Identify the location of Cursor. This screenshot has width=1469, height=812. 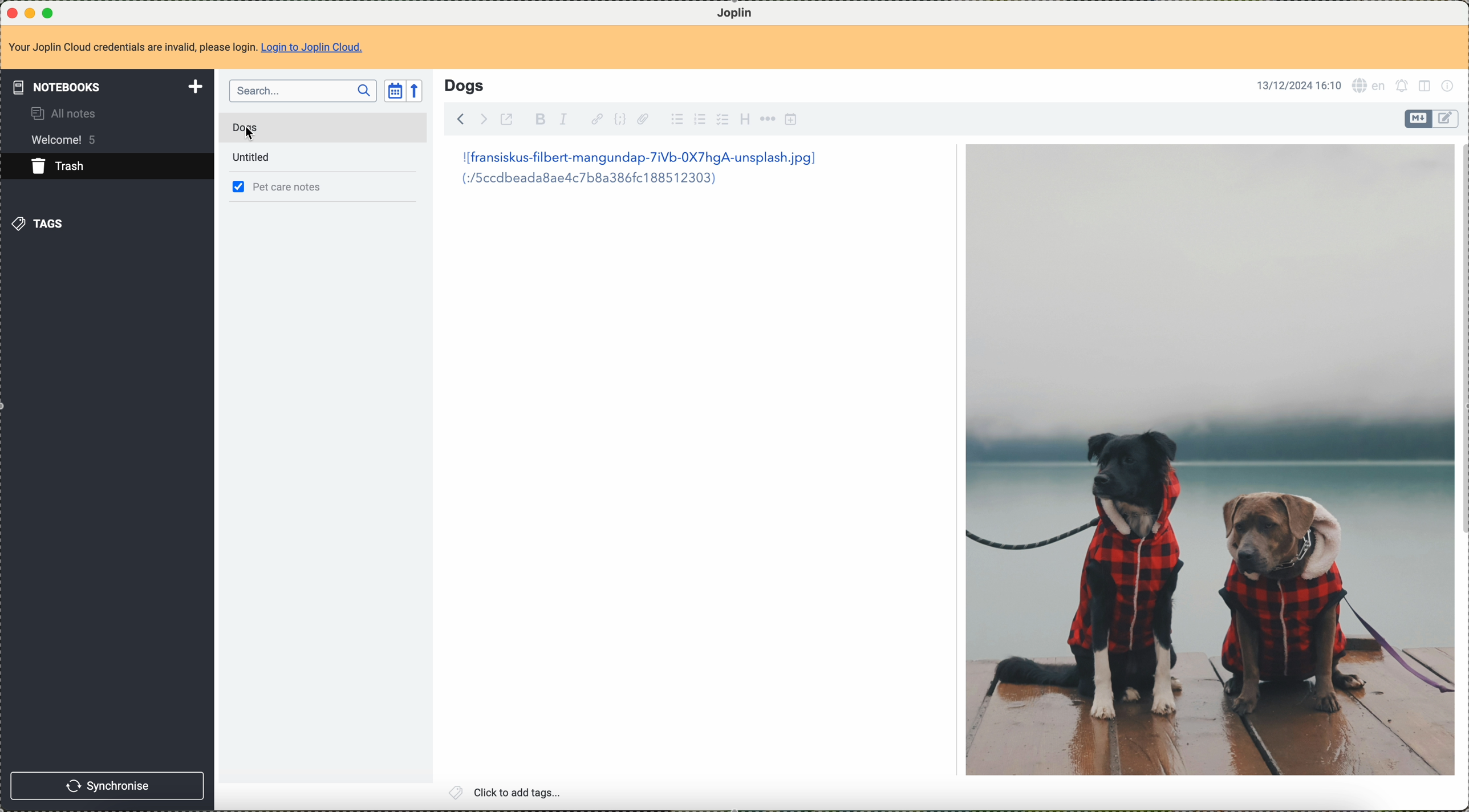
(249, 134).